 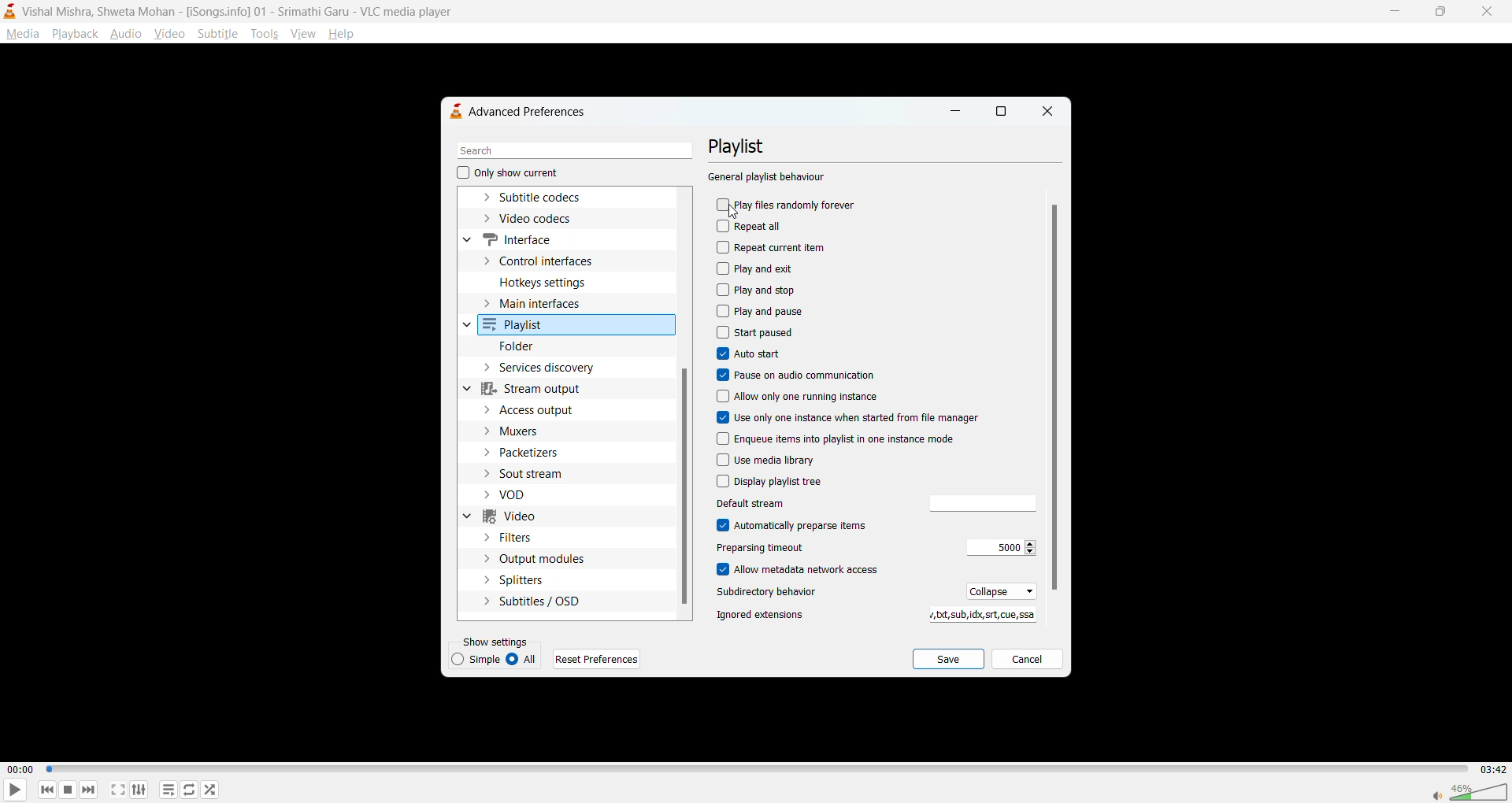 I want to click on repeat current time, so click(x=776, y=247).